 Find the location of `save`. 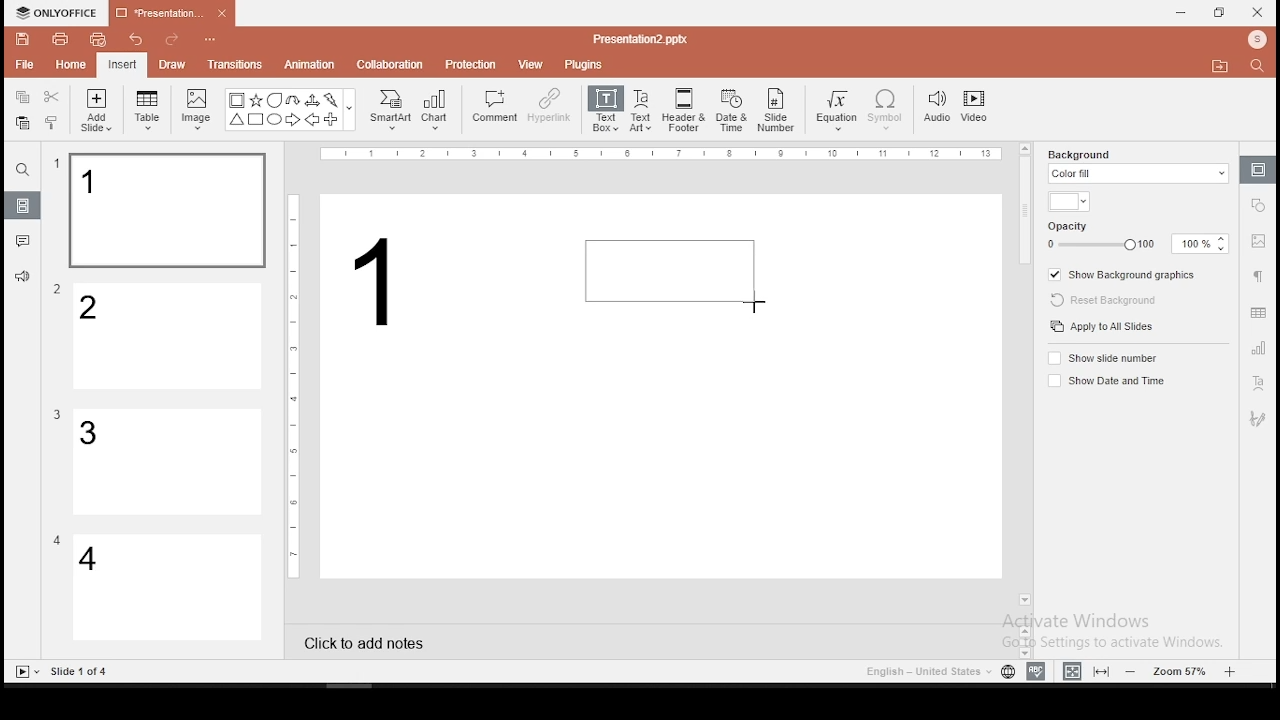

save is located at coordinates (23, 38).